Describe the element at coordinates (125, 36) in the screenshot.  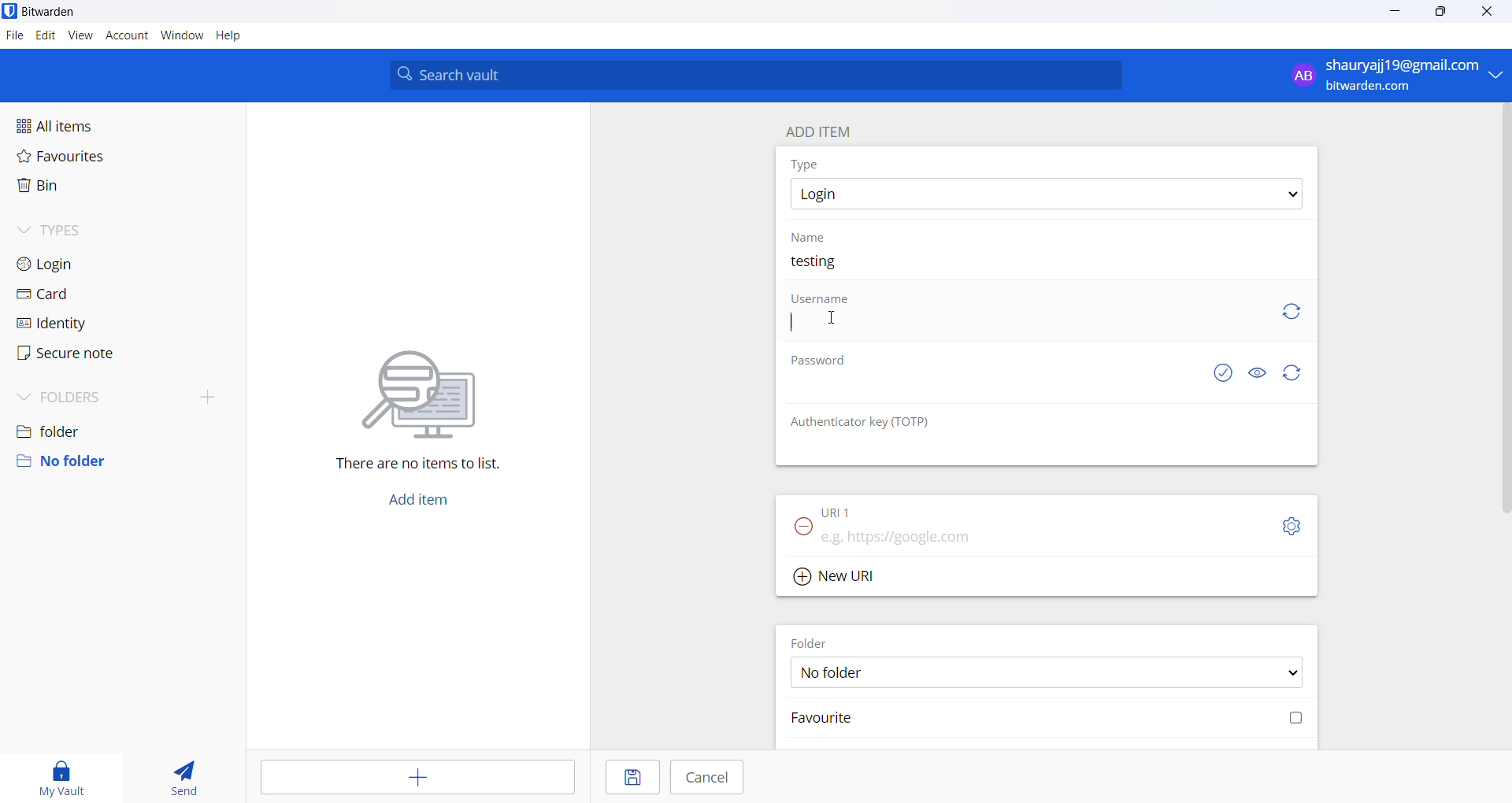
I see `account` at that location.